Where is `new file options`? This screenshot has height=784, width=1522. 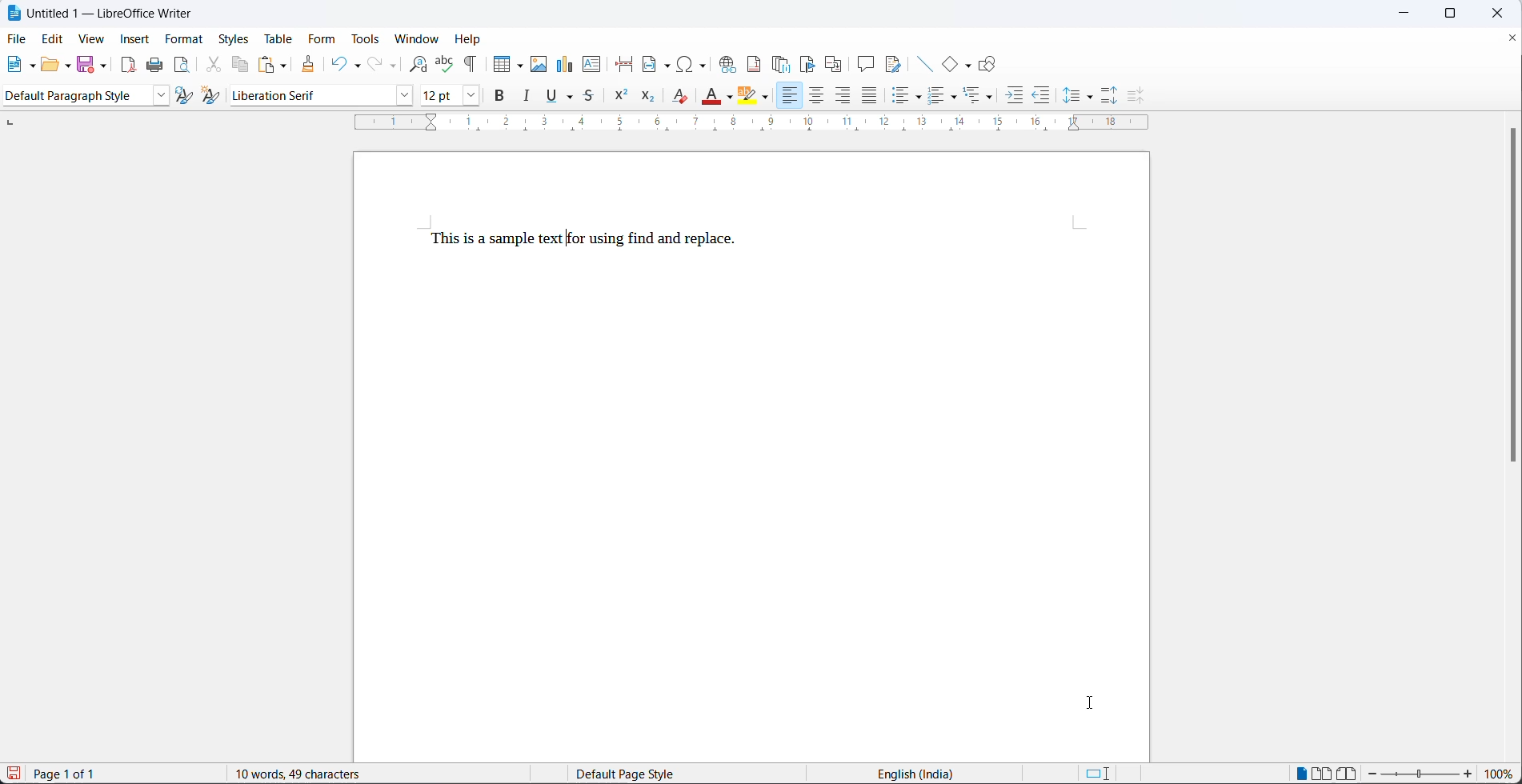
new file options is located at coordinates (34, 66).